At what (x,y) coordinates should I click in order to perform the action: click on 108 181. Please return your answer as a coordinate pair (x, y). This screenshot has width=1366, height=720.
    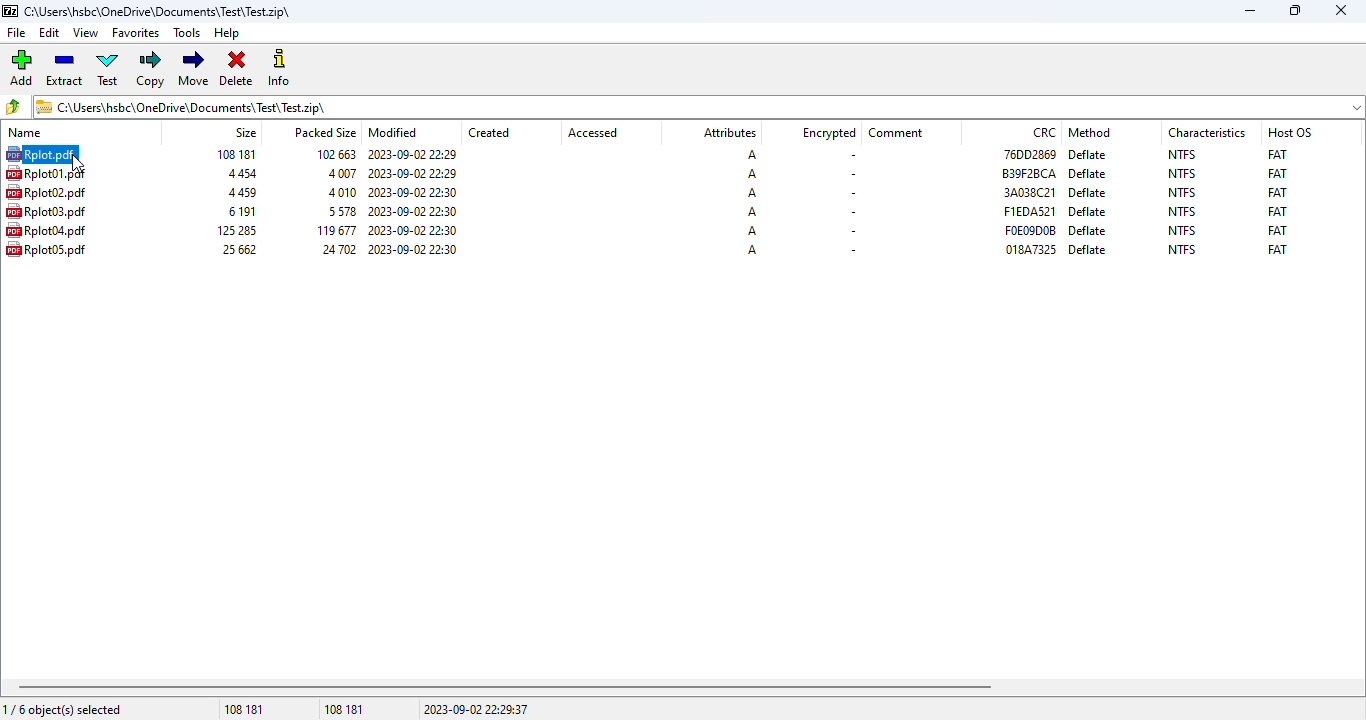
    Looking at the image, I should click on (245, 710).